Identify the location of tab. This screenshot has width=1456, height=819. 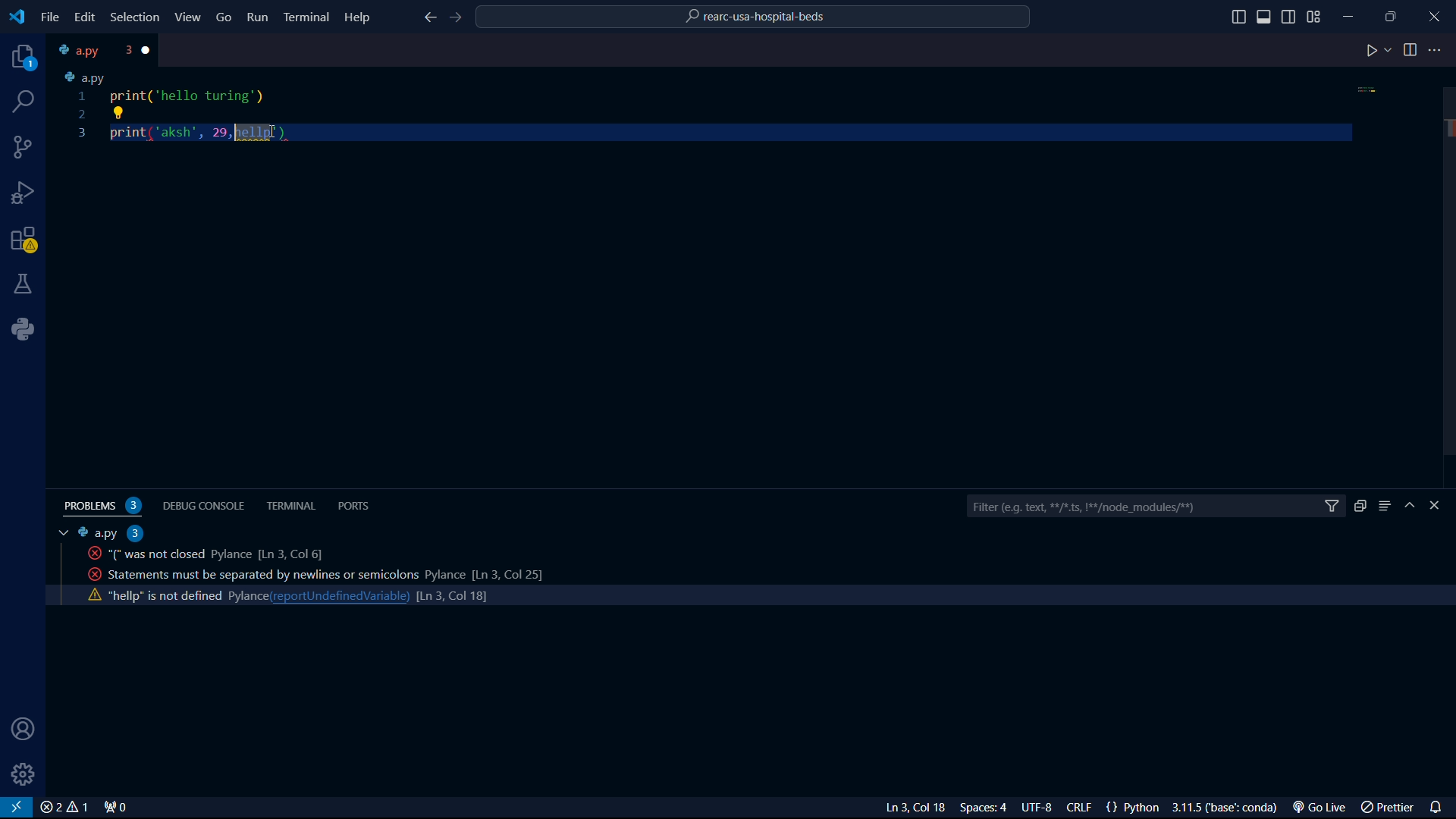
(59, 533).